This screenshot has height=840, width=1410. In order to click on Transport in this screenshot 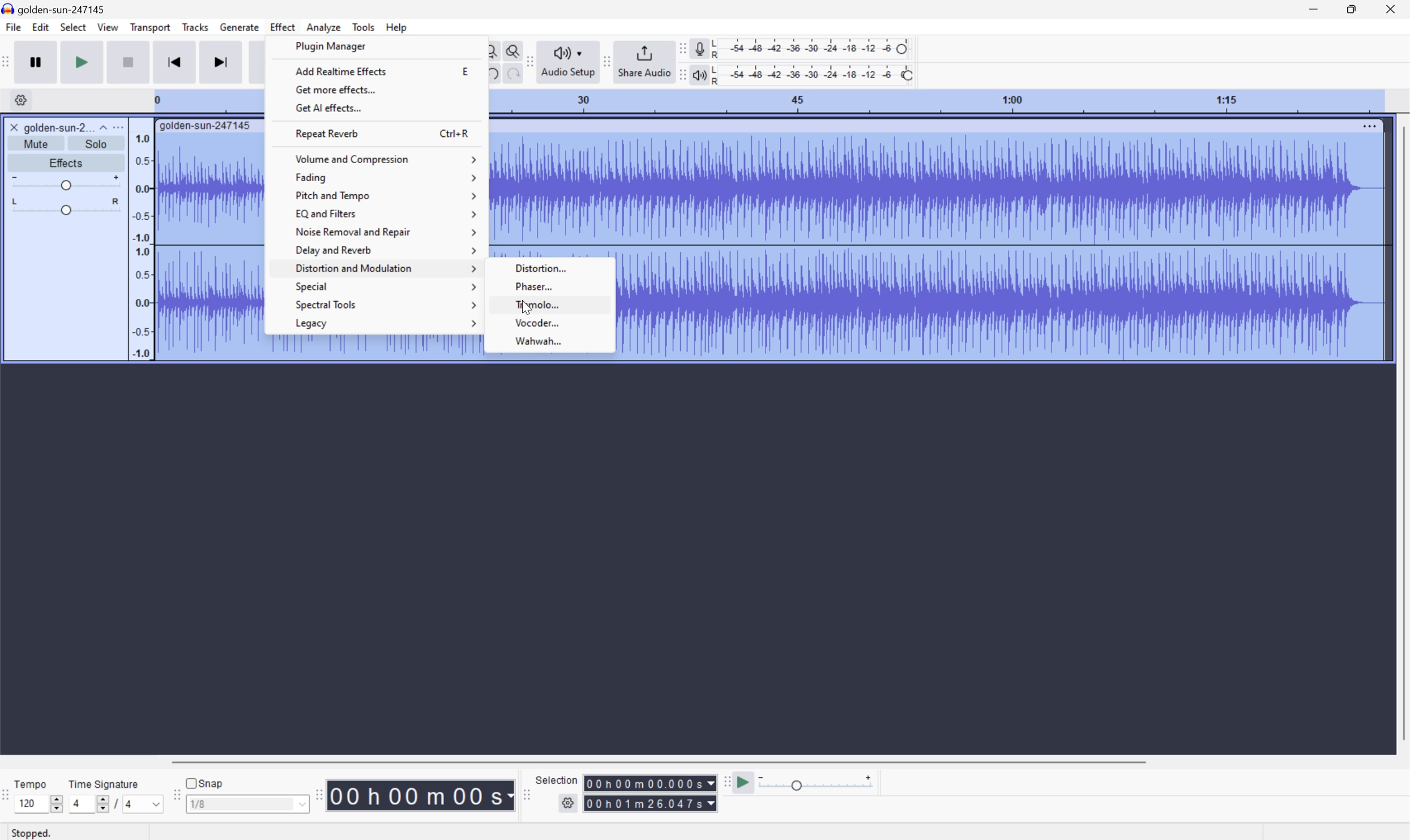, I will do `click(150, 27)`.